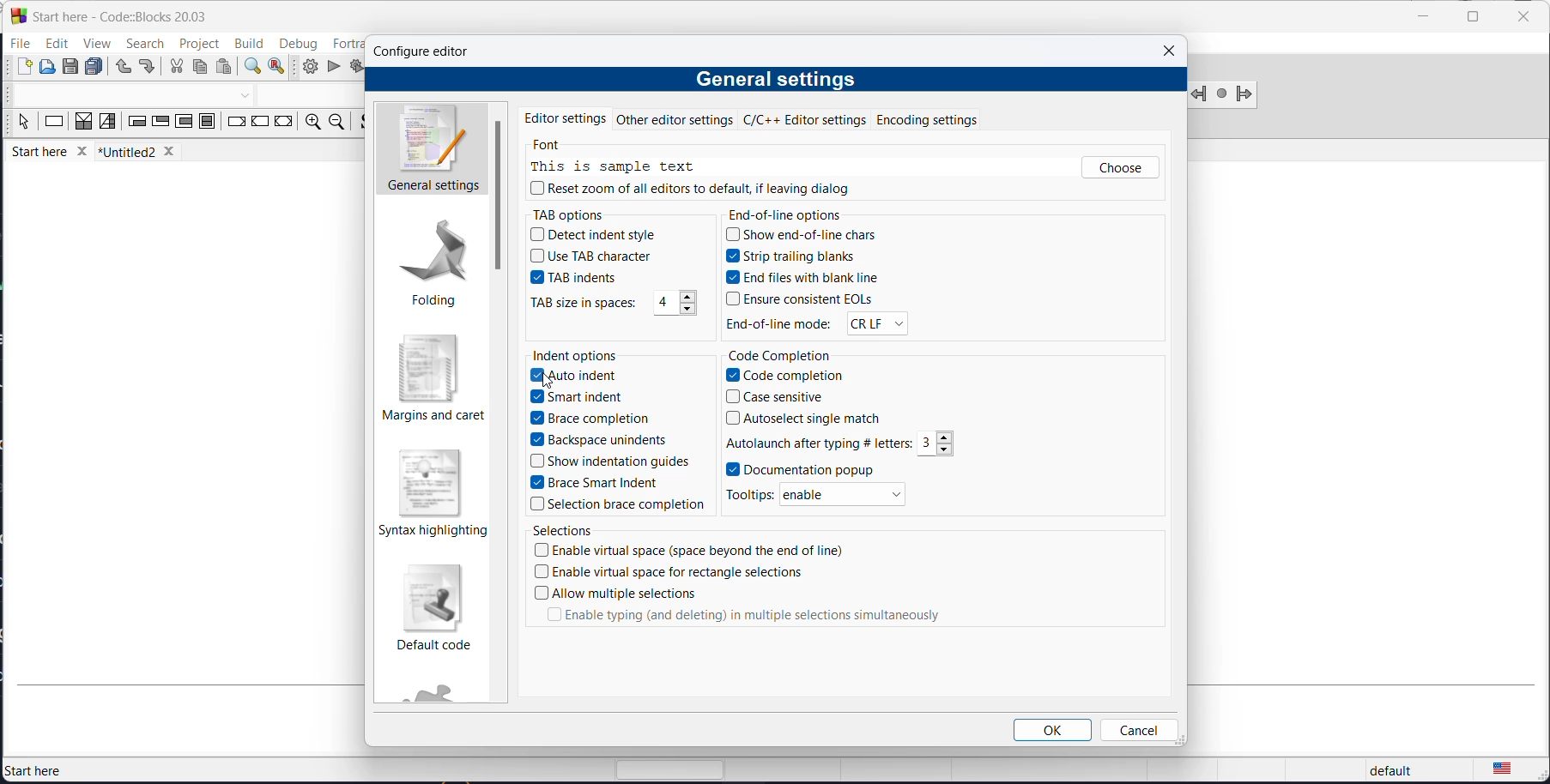 This screenshot has width=1550, height=784. Describe the element at coordinates (802, 236) in the screenshot. I see `show end-of-line chars checkbox` at that location.